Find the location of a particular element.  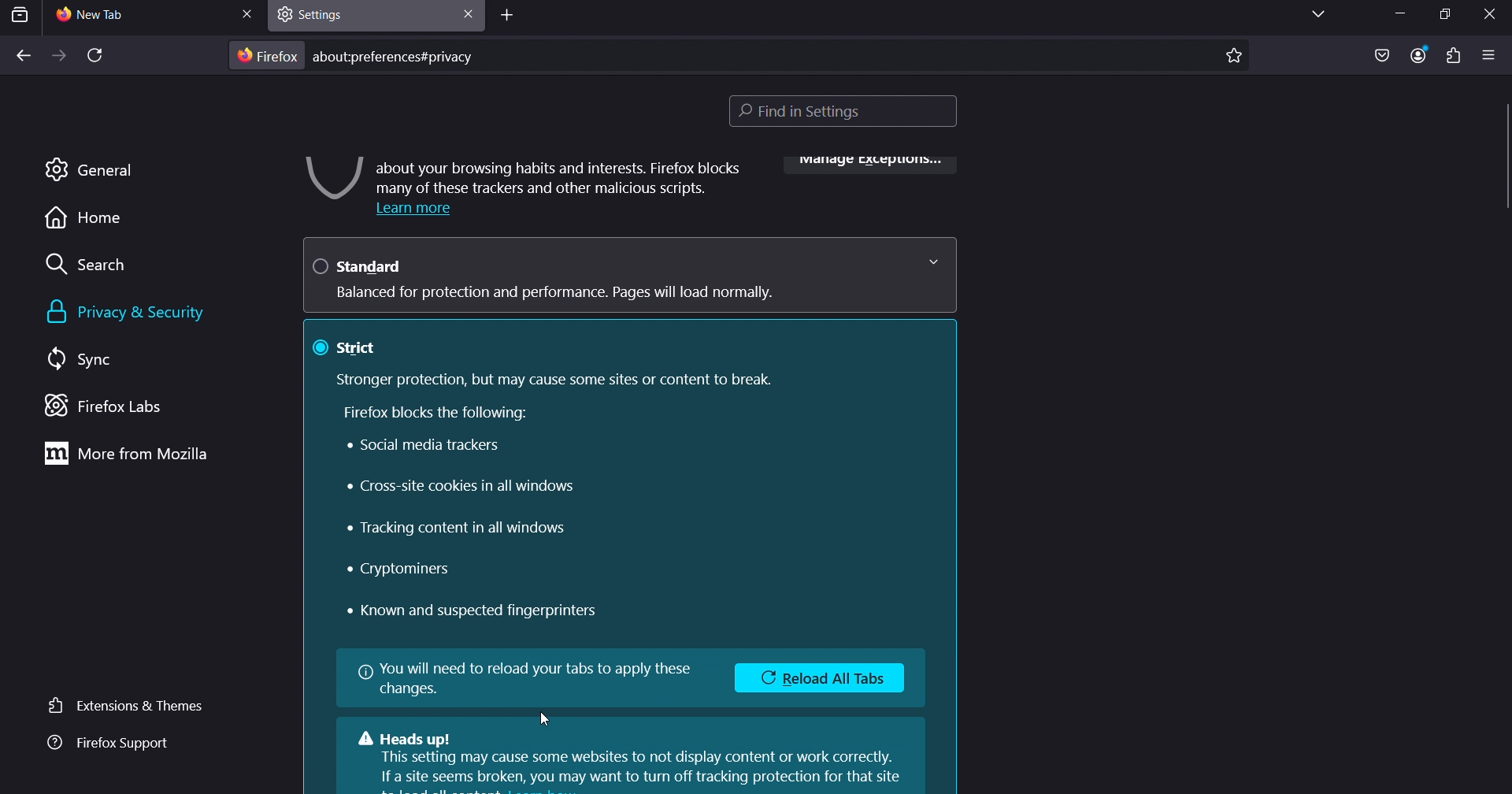

search is located at coordinates (94, 267).